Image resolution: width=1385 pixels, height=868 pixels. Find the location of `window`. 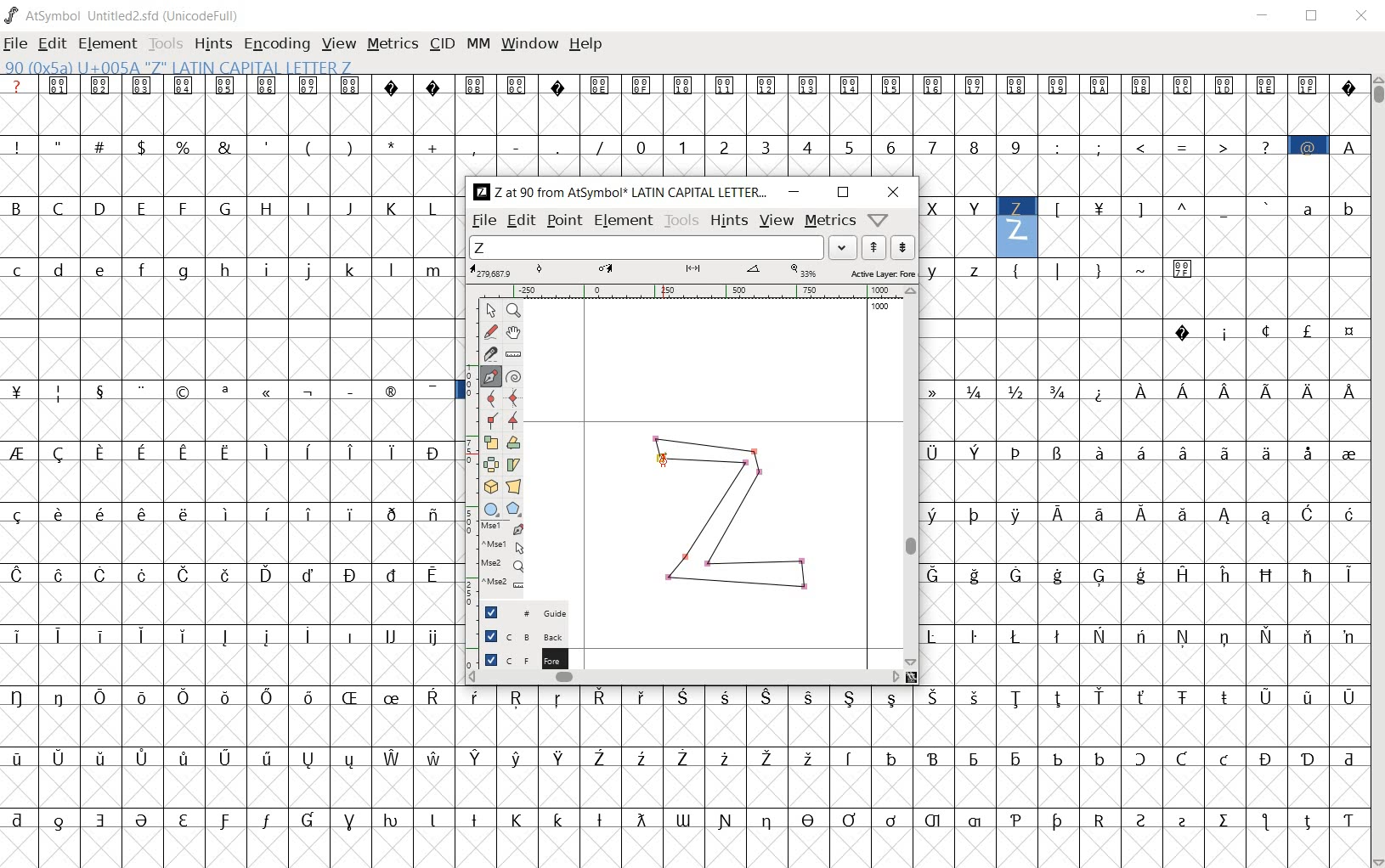

window is located at coordinates (529, 44).